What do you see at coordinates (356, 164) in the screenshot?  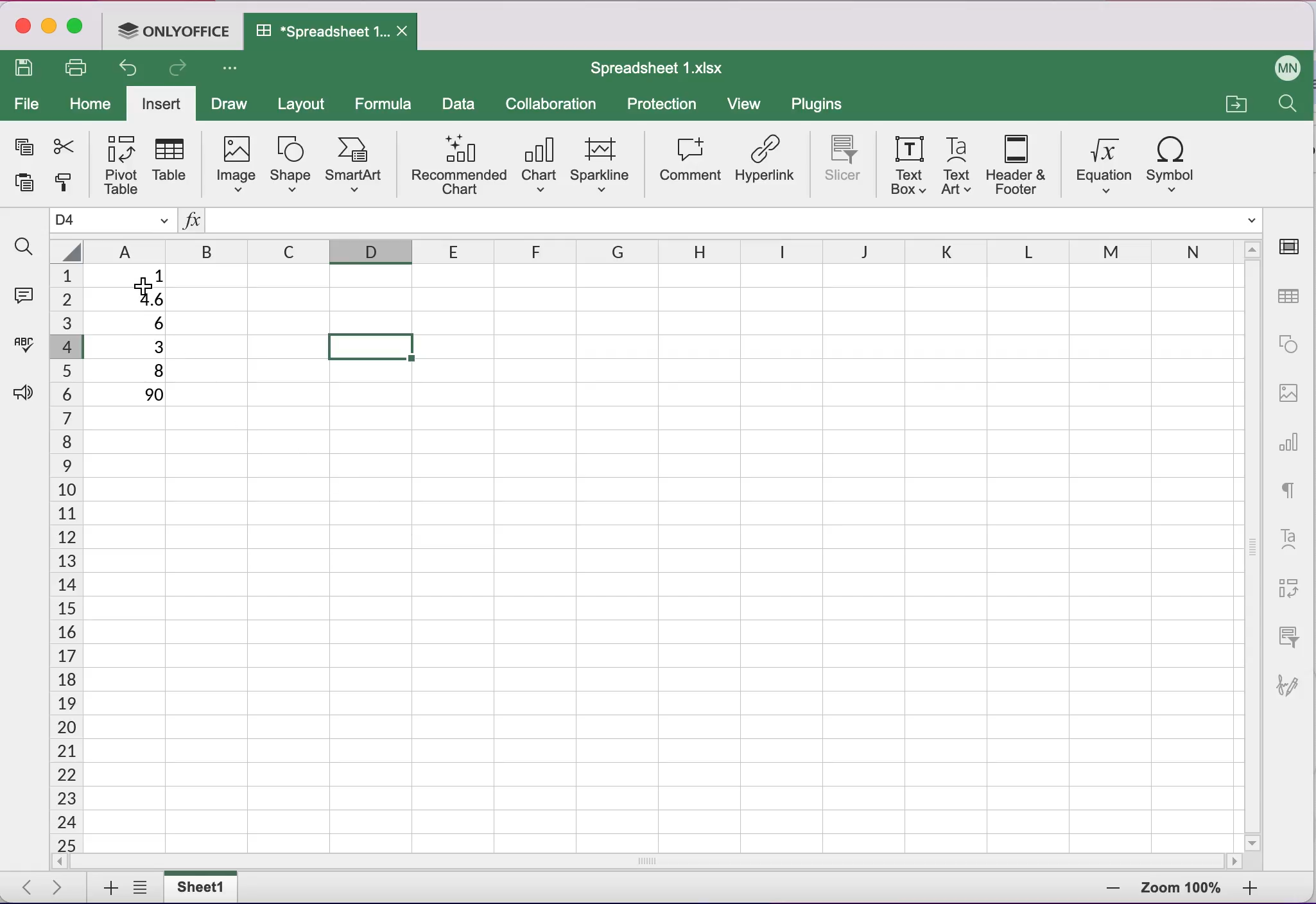 I see `smart art` at bounding box center [356, 164].